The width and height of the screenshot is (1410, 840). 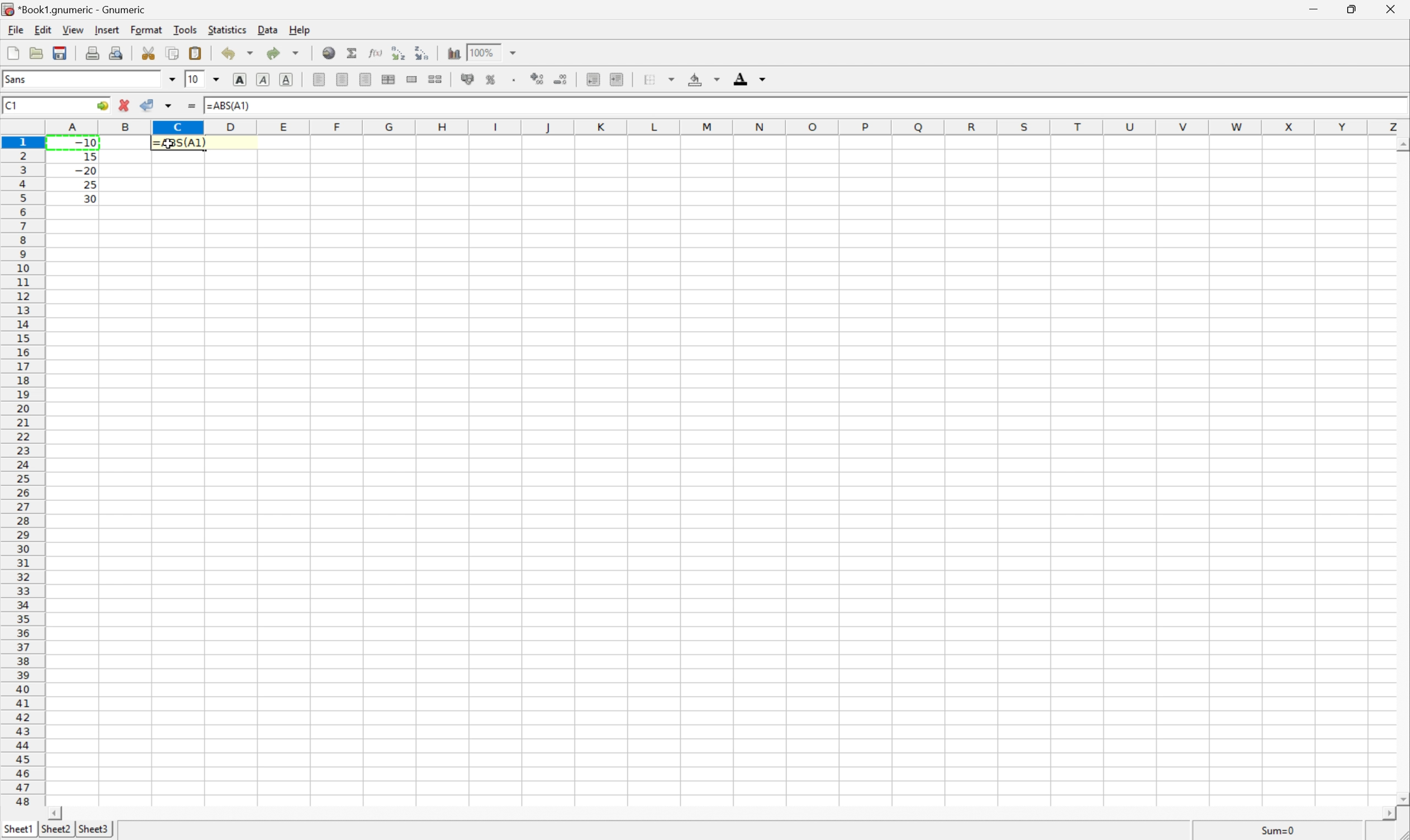 What do you see at coordinates (169, 145) in the screenshot?
I see `Cursor` at bounding box center [169, 145].